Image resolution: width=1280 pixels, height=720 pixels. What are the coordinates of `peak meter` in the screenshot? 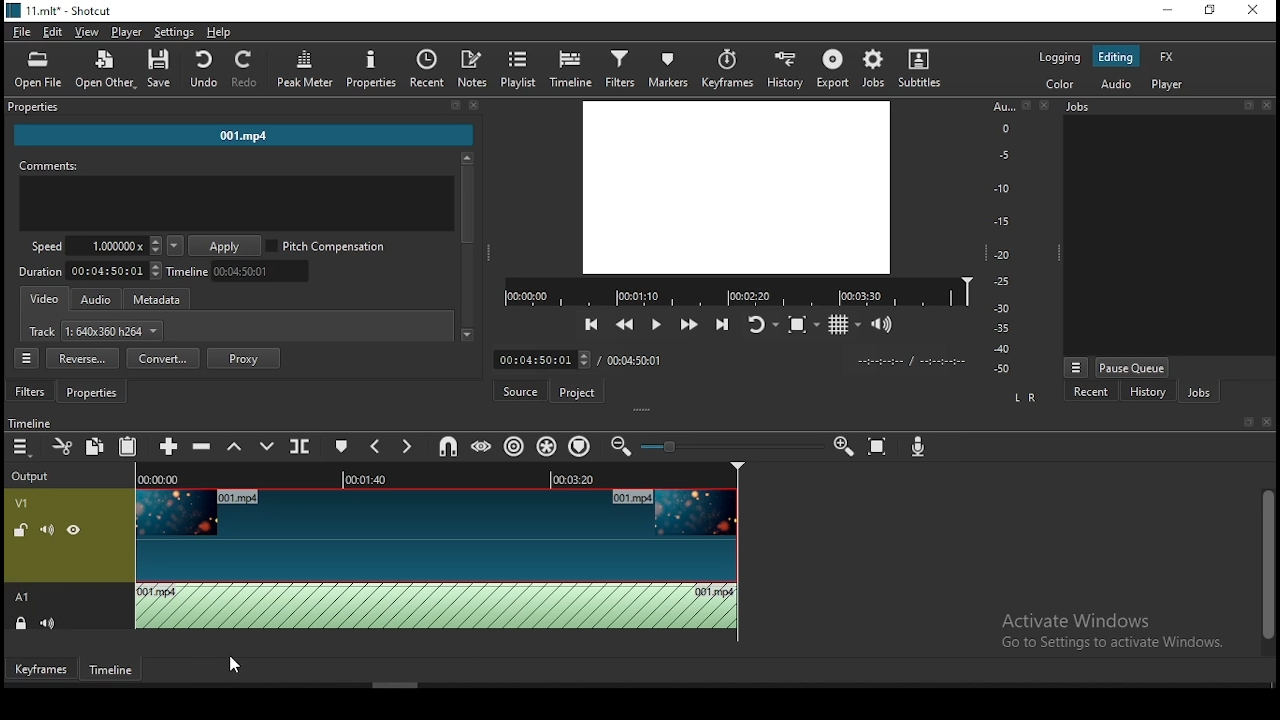 It's located at (303, 68).